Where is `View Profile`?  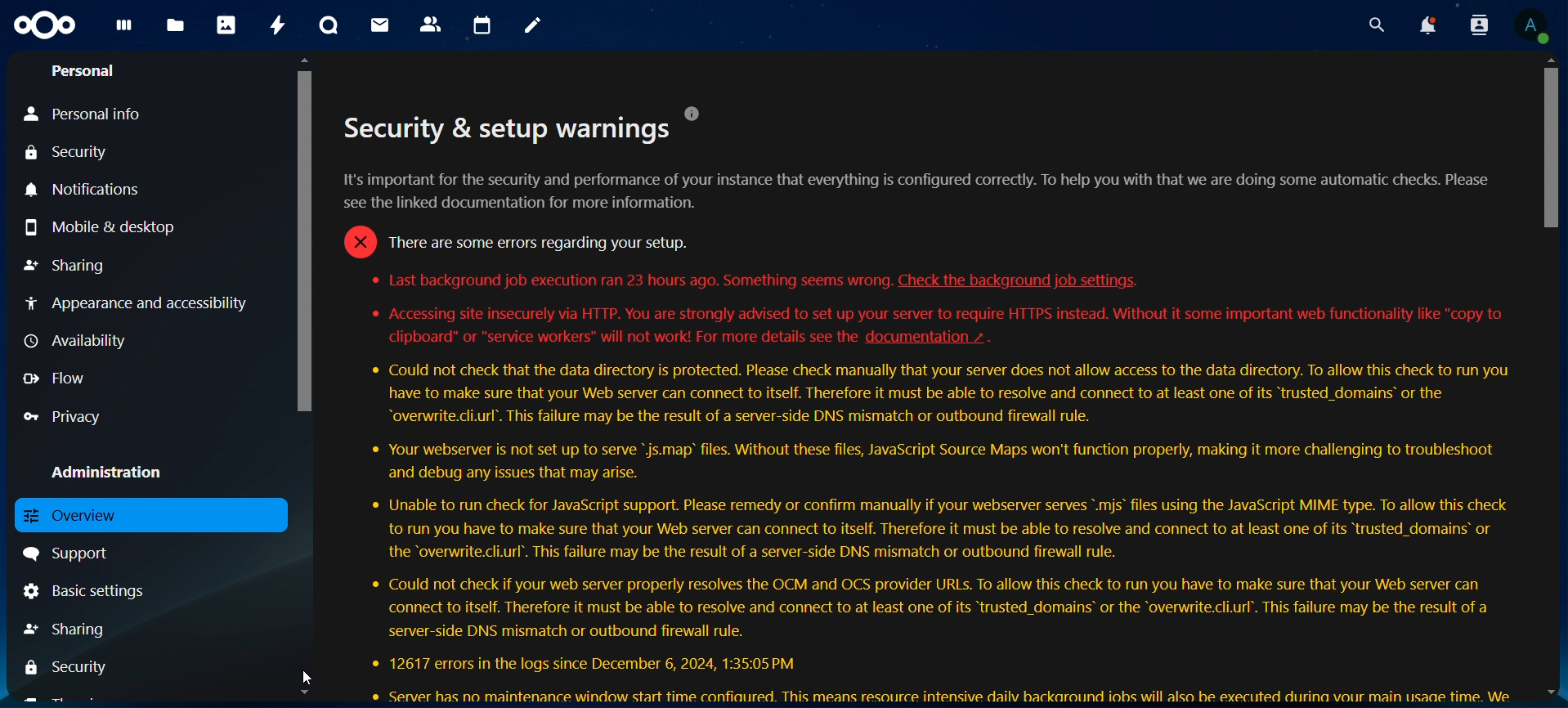 View Profile is located at coordinates (1533, 26).